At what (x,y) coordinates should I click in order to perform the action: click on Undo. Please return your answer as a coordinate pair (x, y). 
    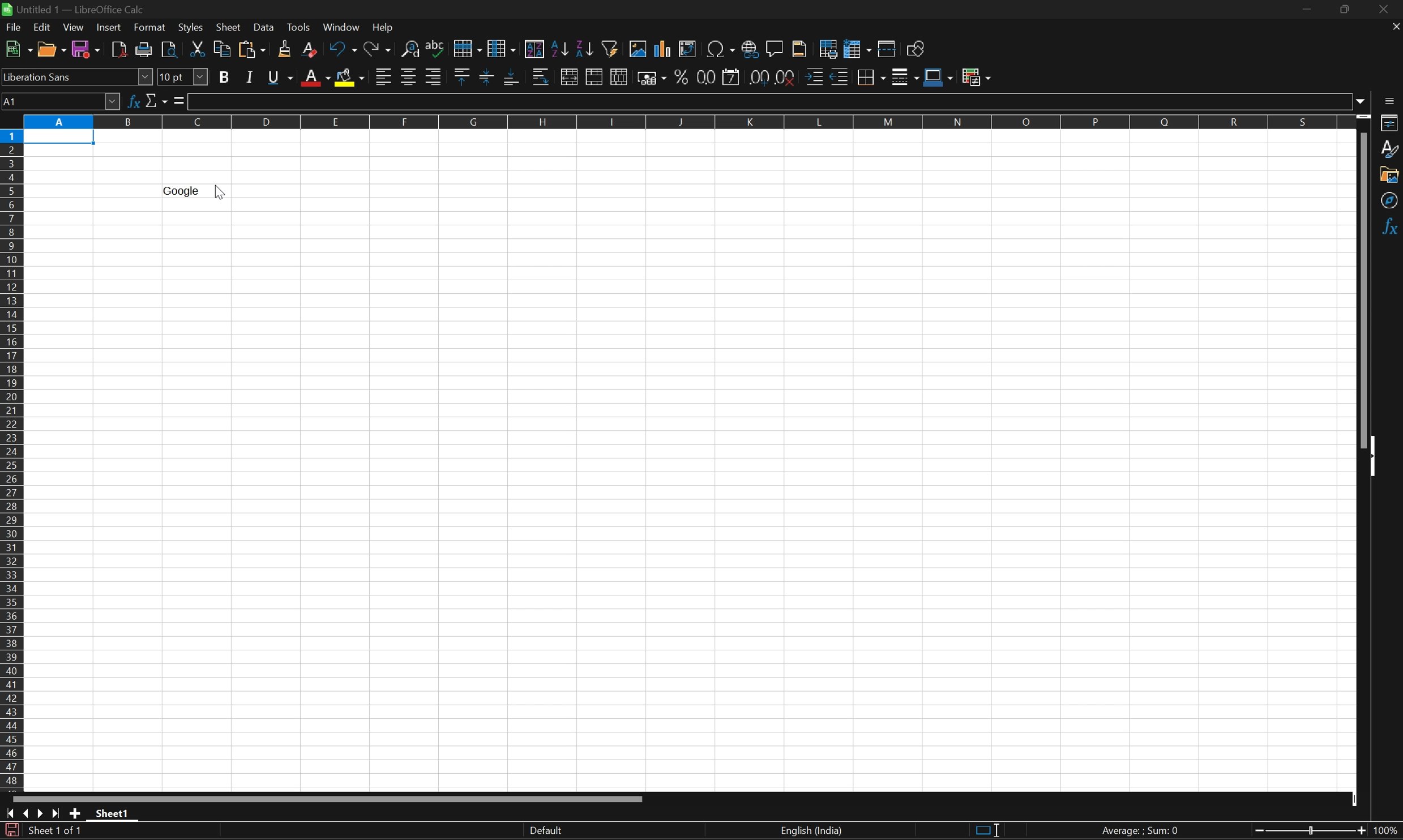
    Looking at the image, I should click on (343, 50).